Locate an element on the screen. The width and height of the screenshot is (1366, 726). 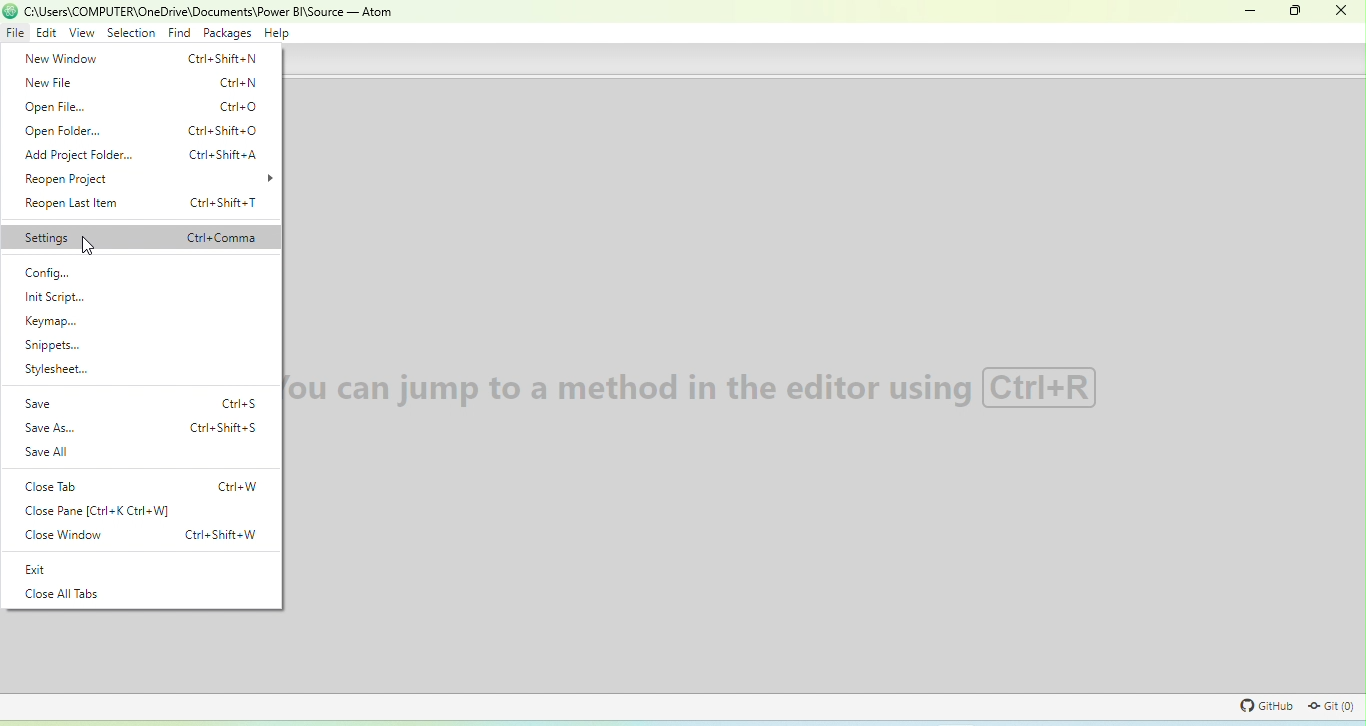
packages menu is located at coordinates (227, 33).